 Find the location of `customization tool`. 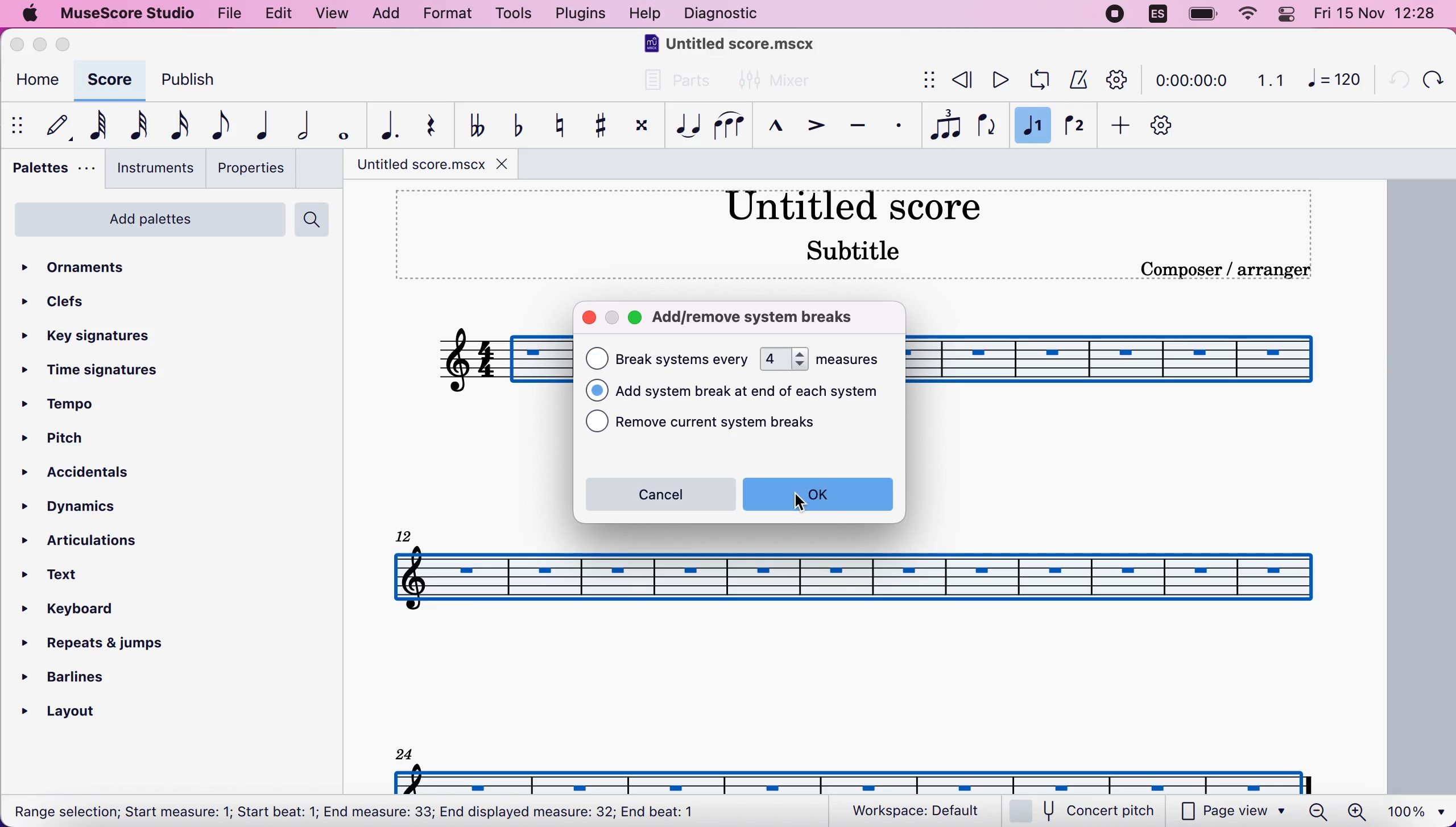

customization tool is located at coordinates (1172, 126).